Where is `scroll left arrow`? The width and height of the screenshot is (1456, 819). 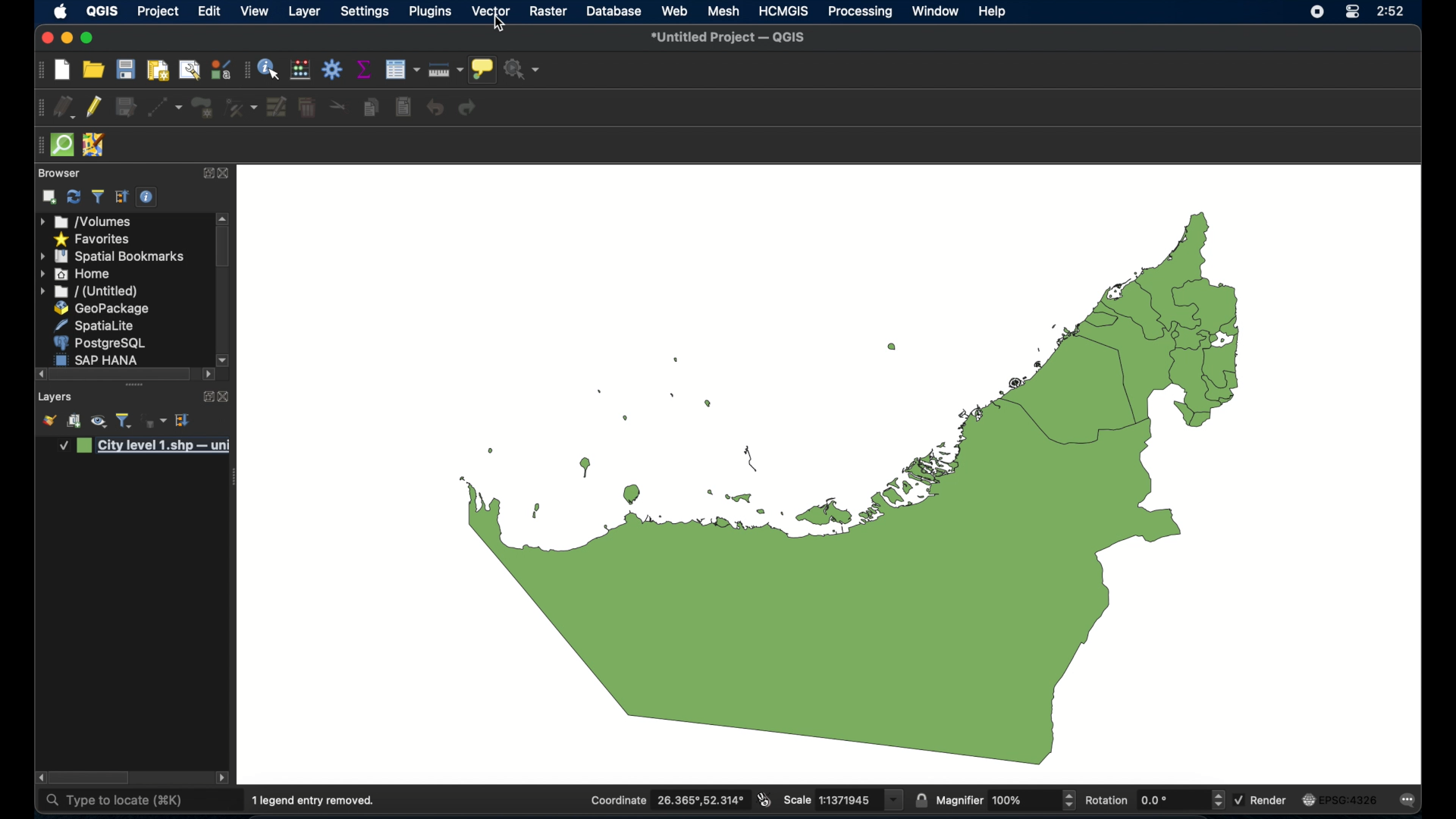 scroll left arrow is located at coordinates (224, 779).